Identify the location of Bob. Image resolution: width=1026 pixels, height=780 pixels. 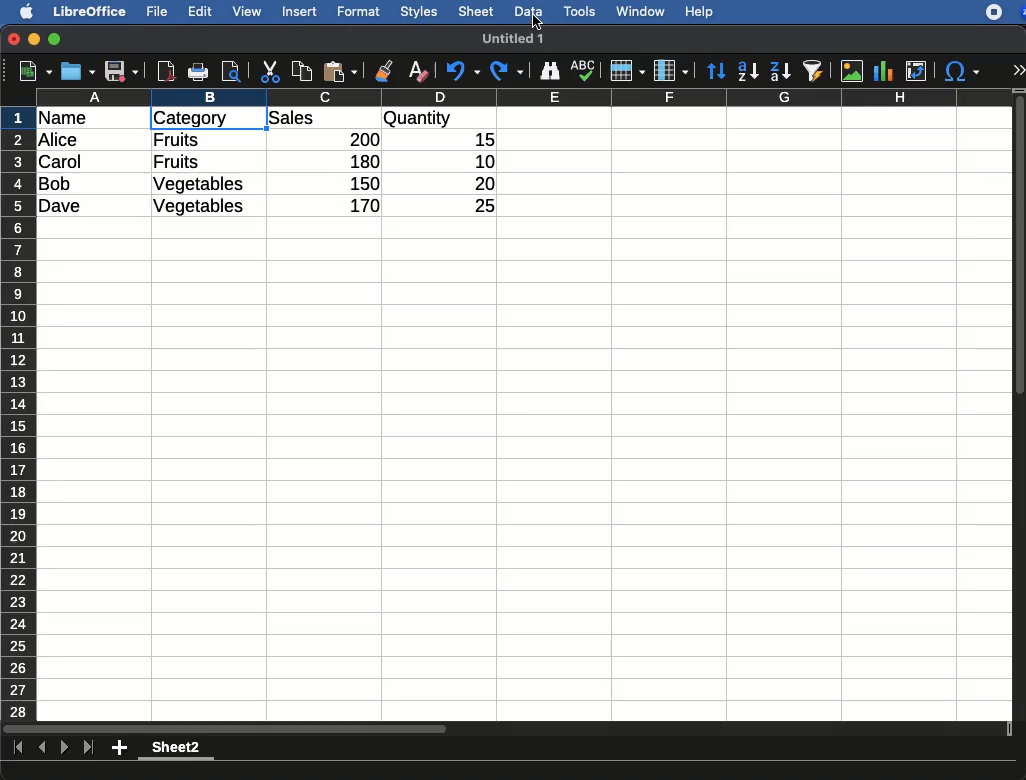
(56, 185).